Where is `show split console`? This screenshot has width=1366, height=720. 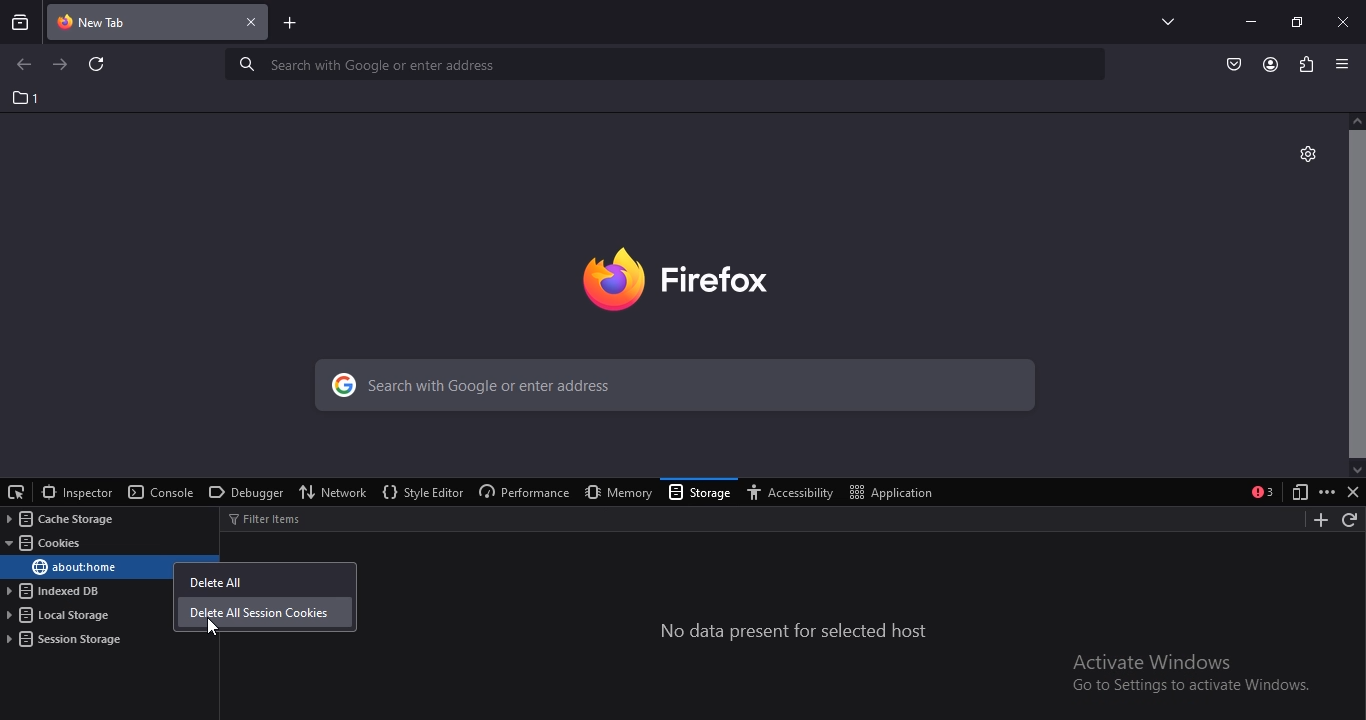
show split console is located at coordinates (1263, 492).